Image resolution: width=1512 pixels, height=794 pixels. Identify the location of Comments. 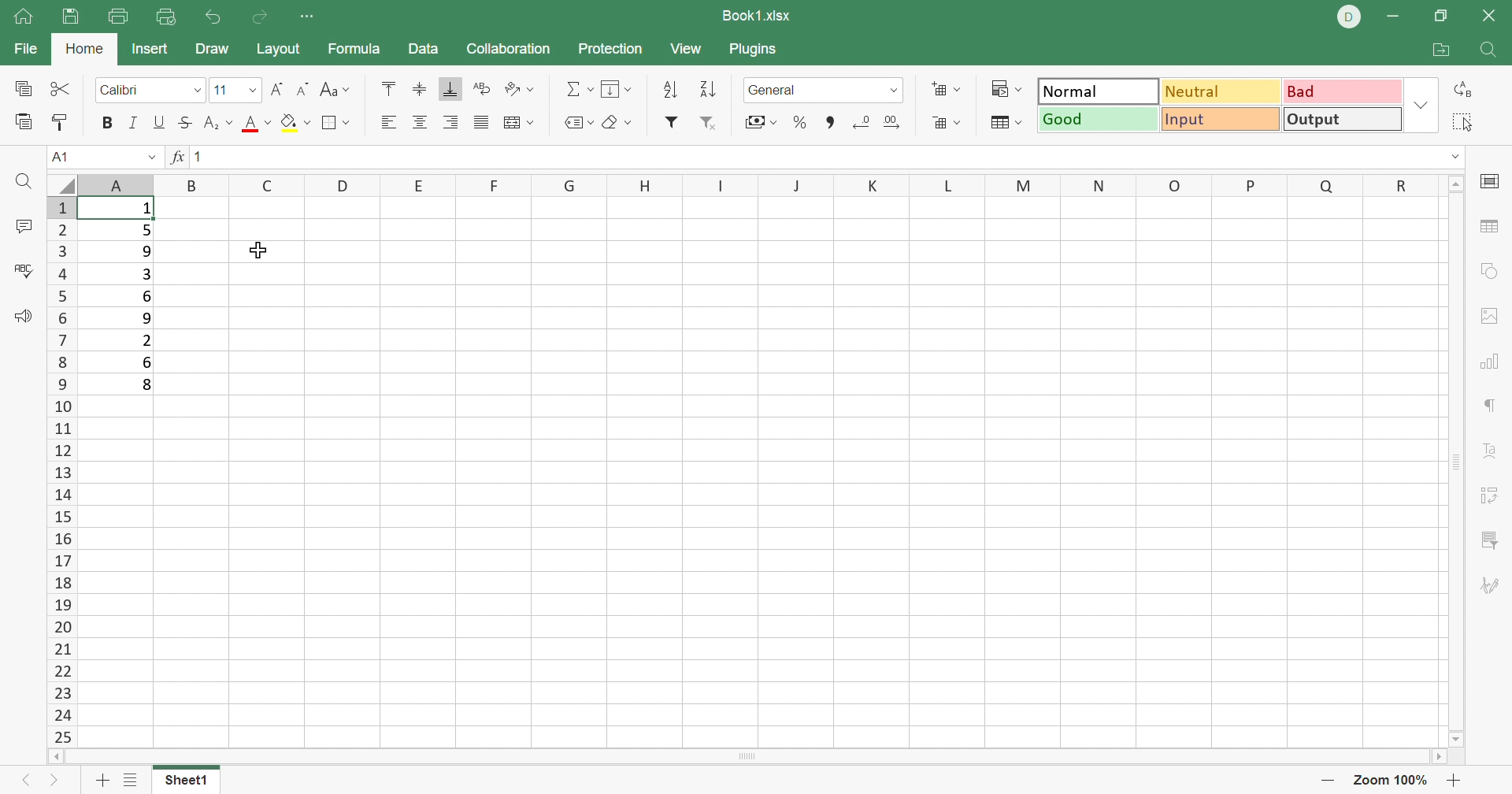
(21, 225).